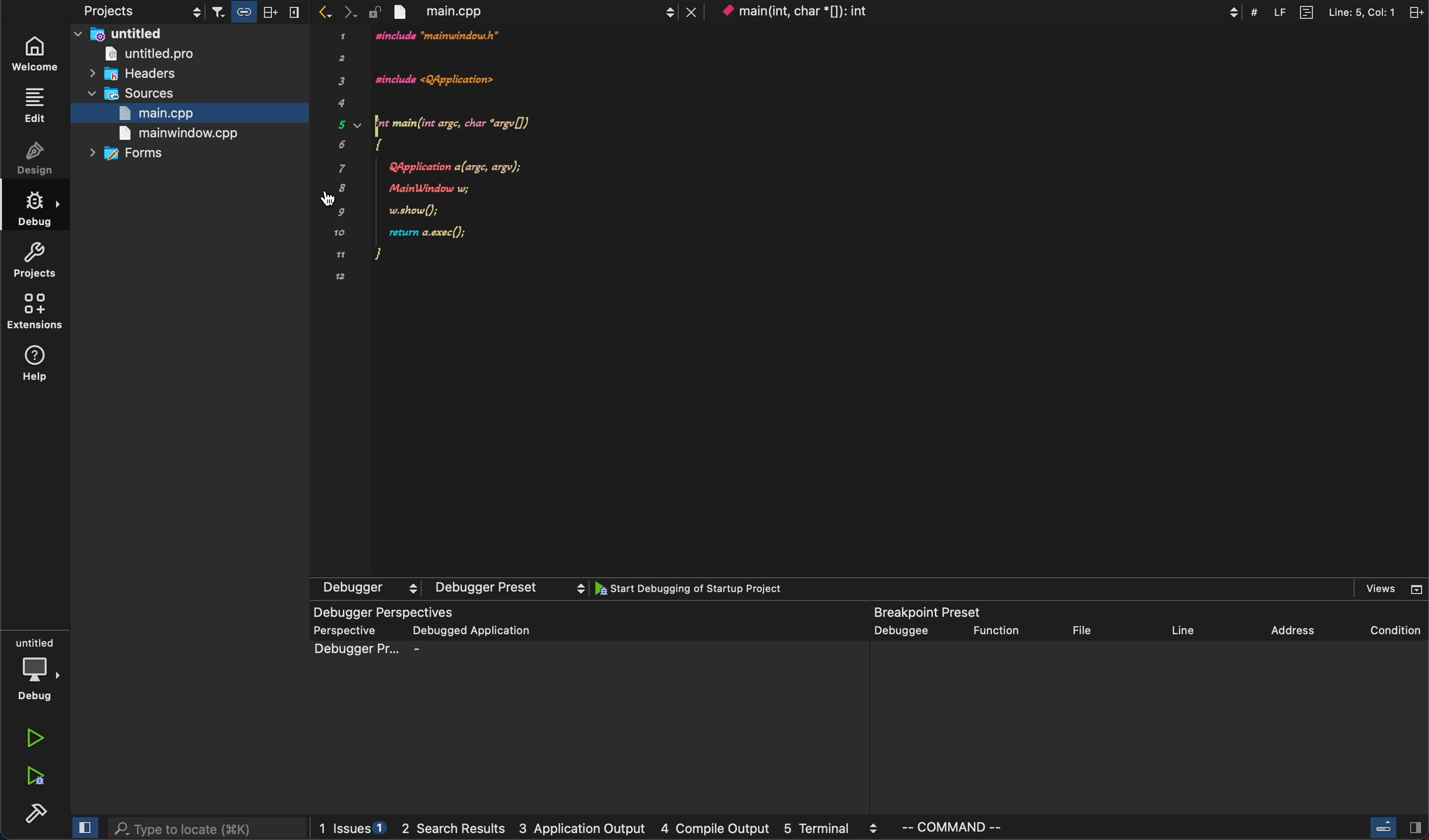  I want to click on help, so click(38, 363).